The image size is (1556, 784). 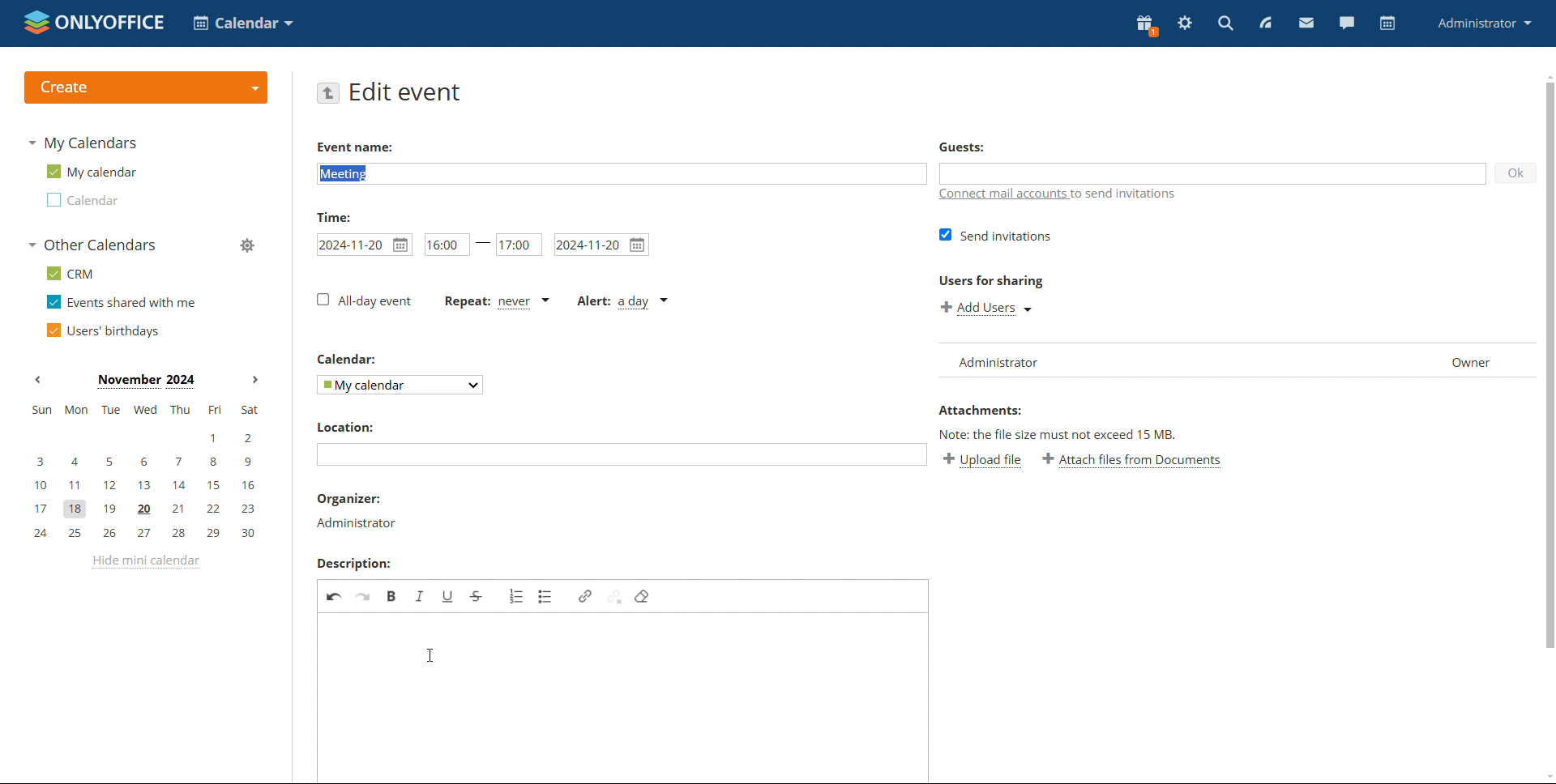 What do you see at coordinates (601, 244) in the screenshot?
I see `end date` at bounding box center [601, 244].